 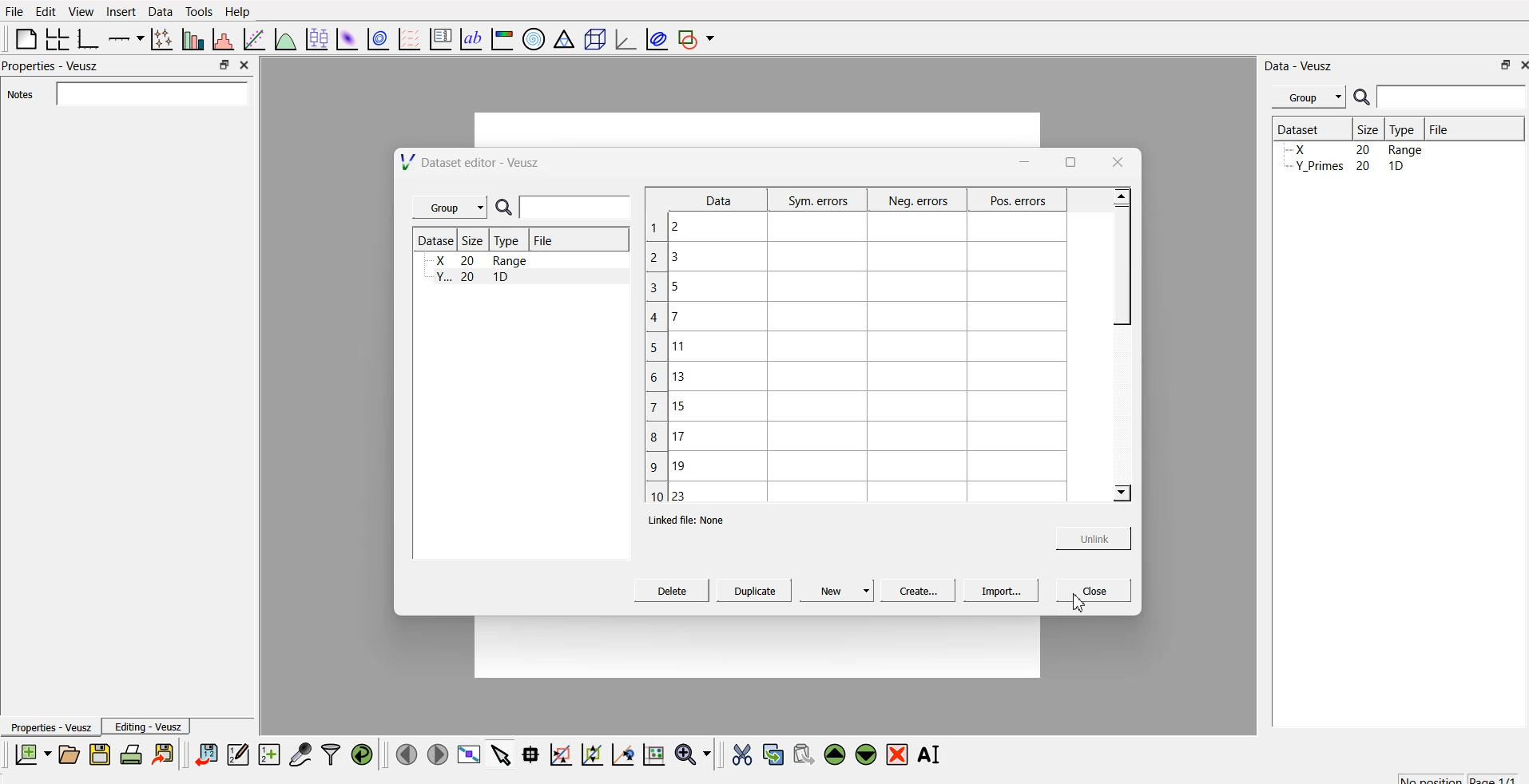 I want to click on Pos. errors, so click(x=1019, y=203).